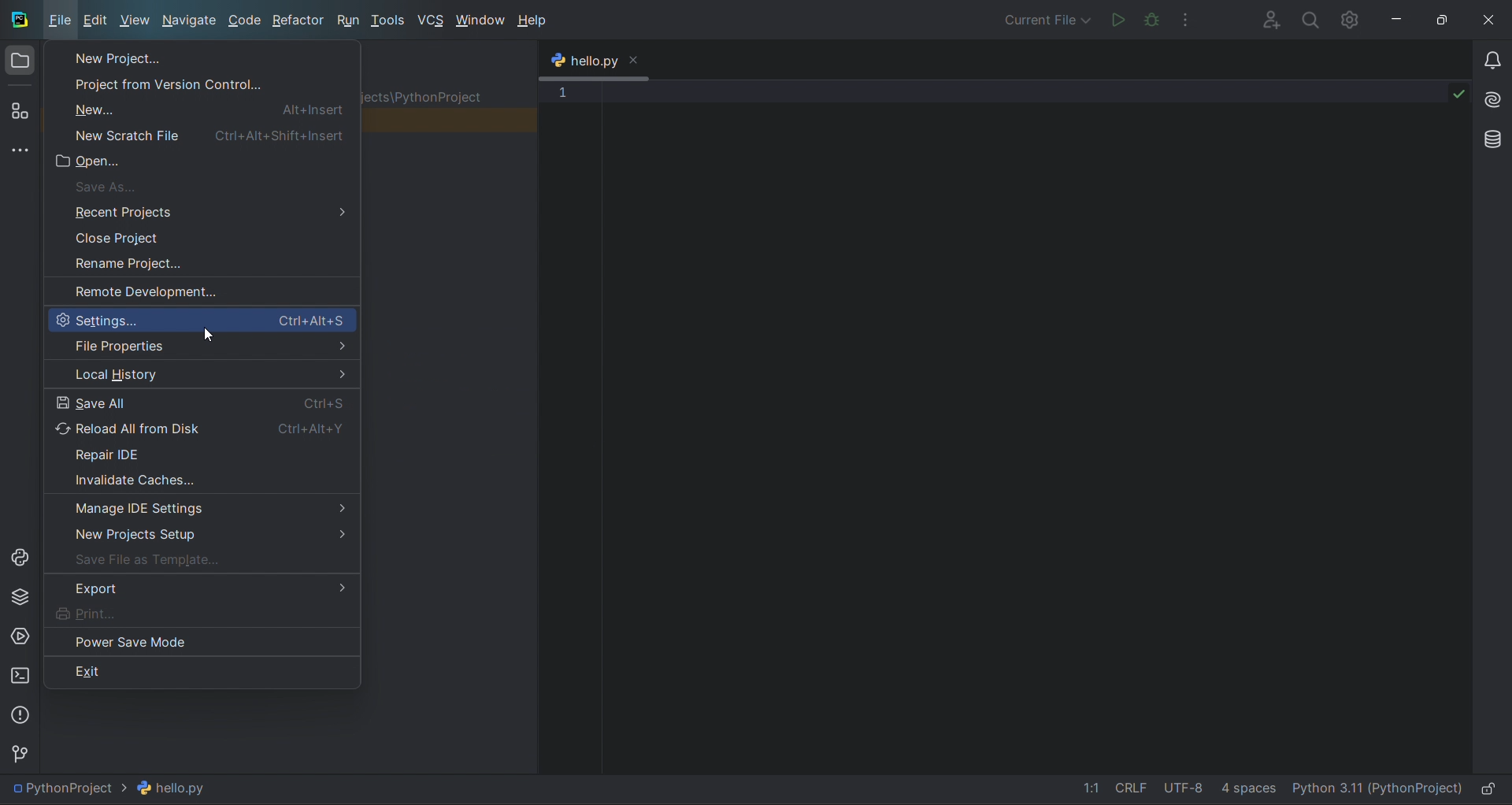 The height and width of the screenshot is (805, 1512). Describe the element at coordinates (431, 18) in the screenshot. I see `vcs` at that location.